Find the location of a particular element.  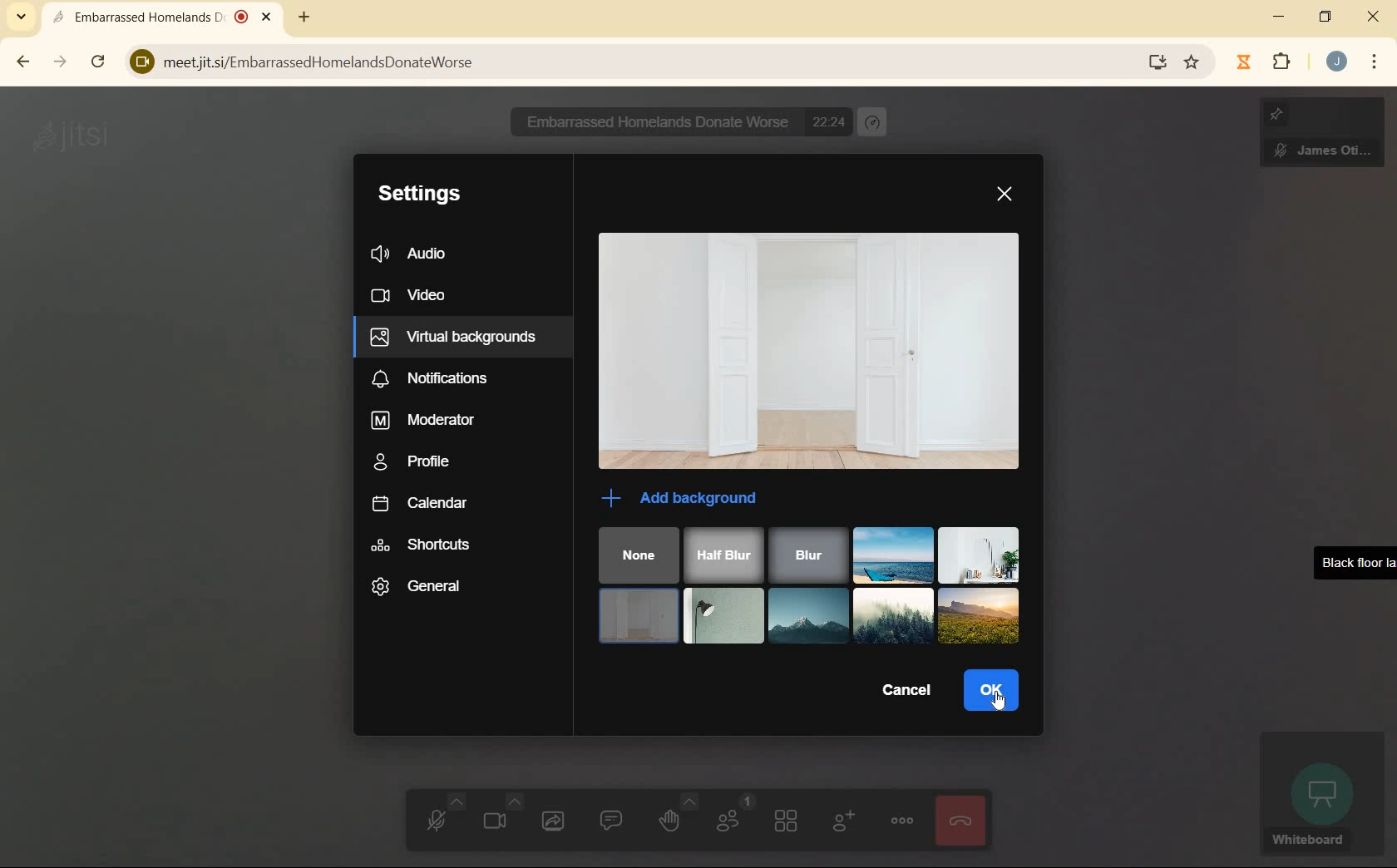

beach is located at coordinates (893, 555).